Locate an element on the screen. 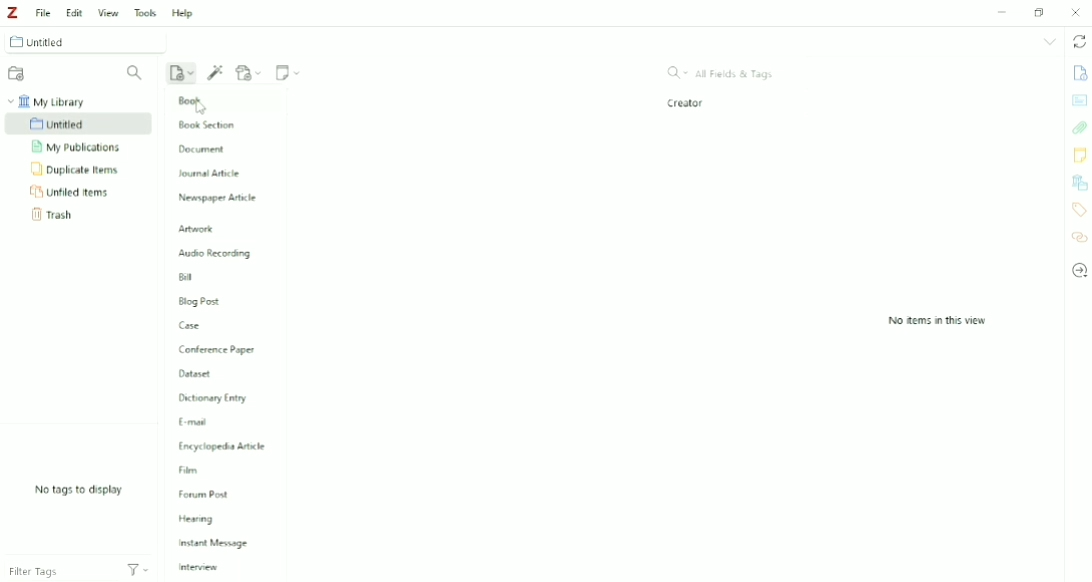 The image size is (1092, 582). All Fields & Tags is located at coordinates (722, 73).